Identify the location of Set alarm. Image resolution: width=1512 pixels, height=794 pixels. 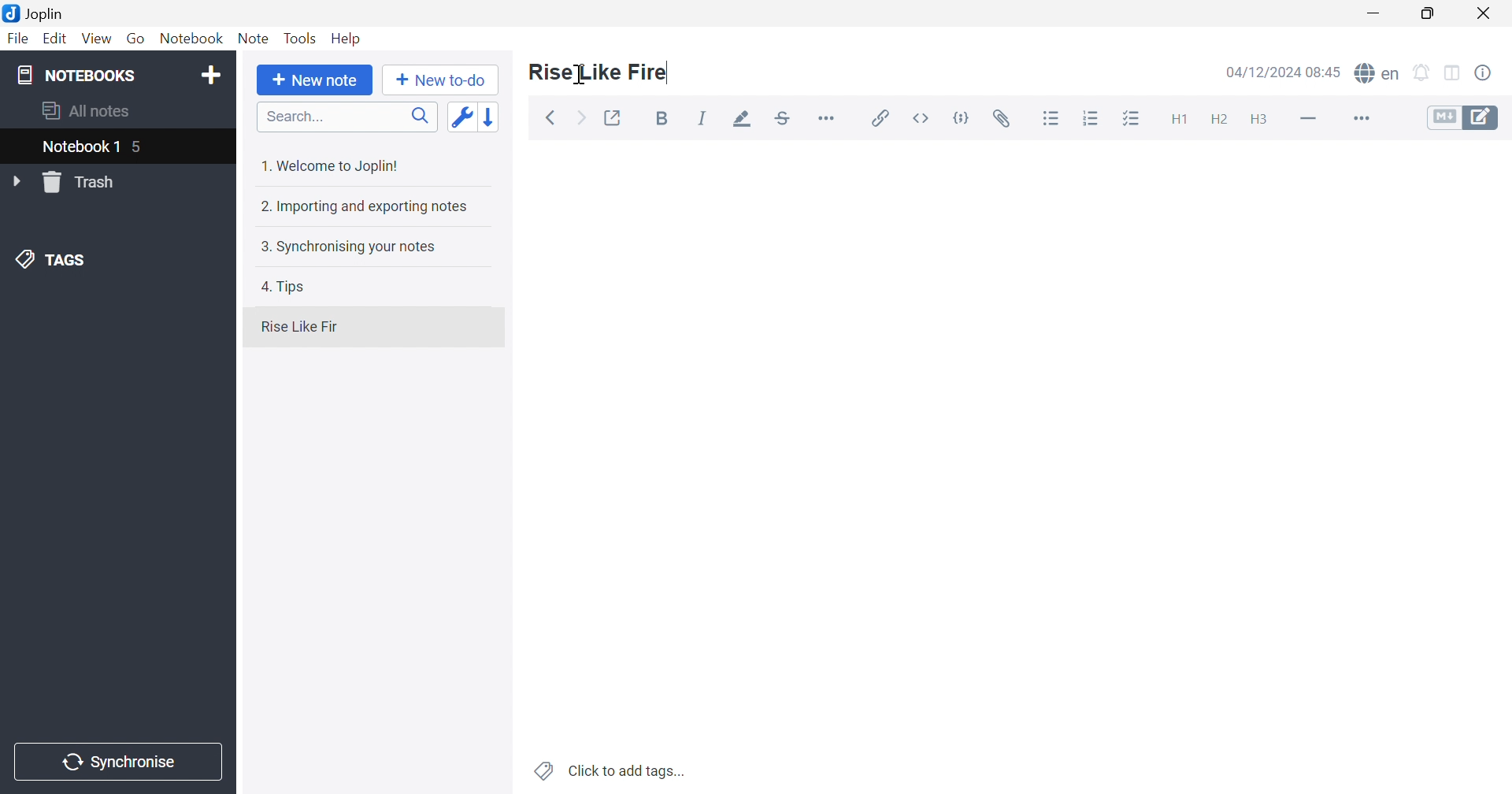
(1421, 72).